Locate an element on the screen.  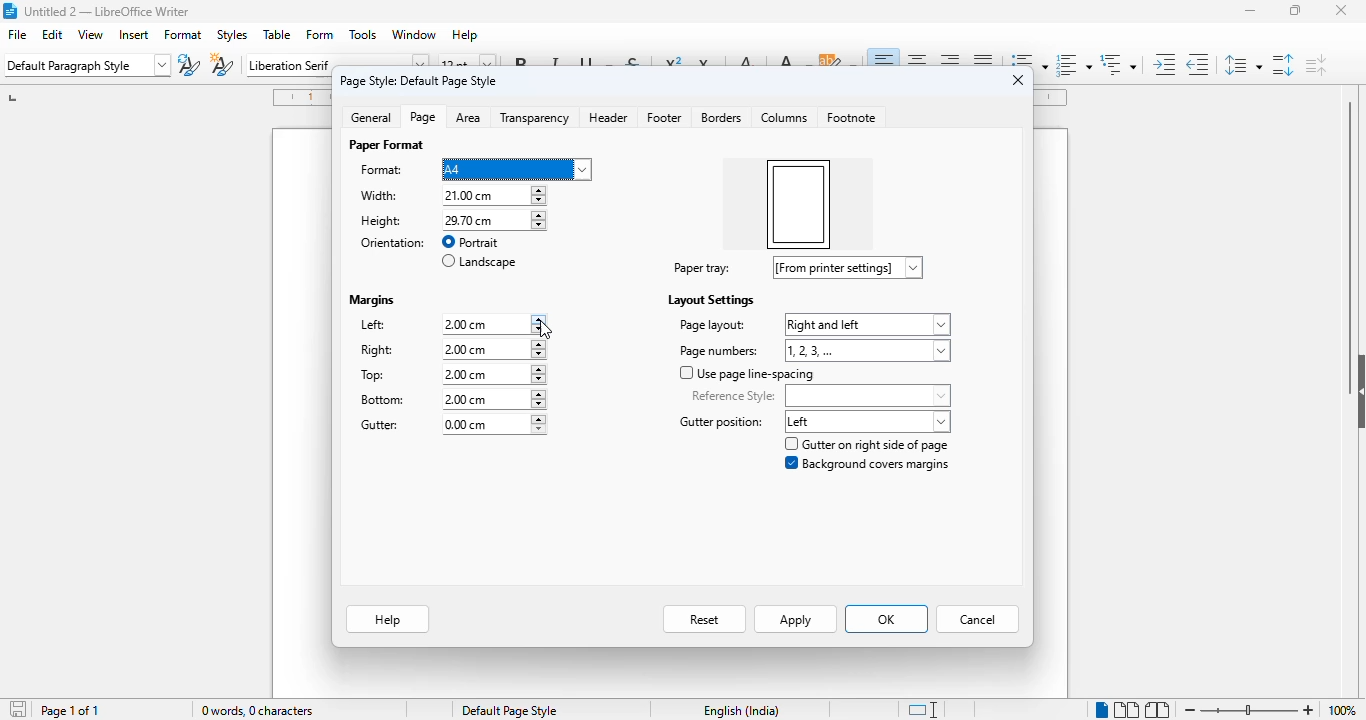
page layout is located at coordinates (716, 325).